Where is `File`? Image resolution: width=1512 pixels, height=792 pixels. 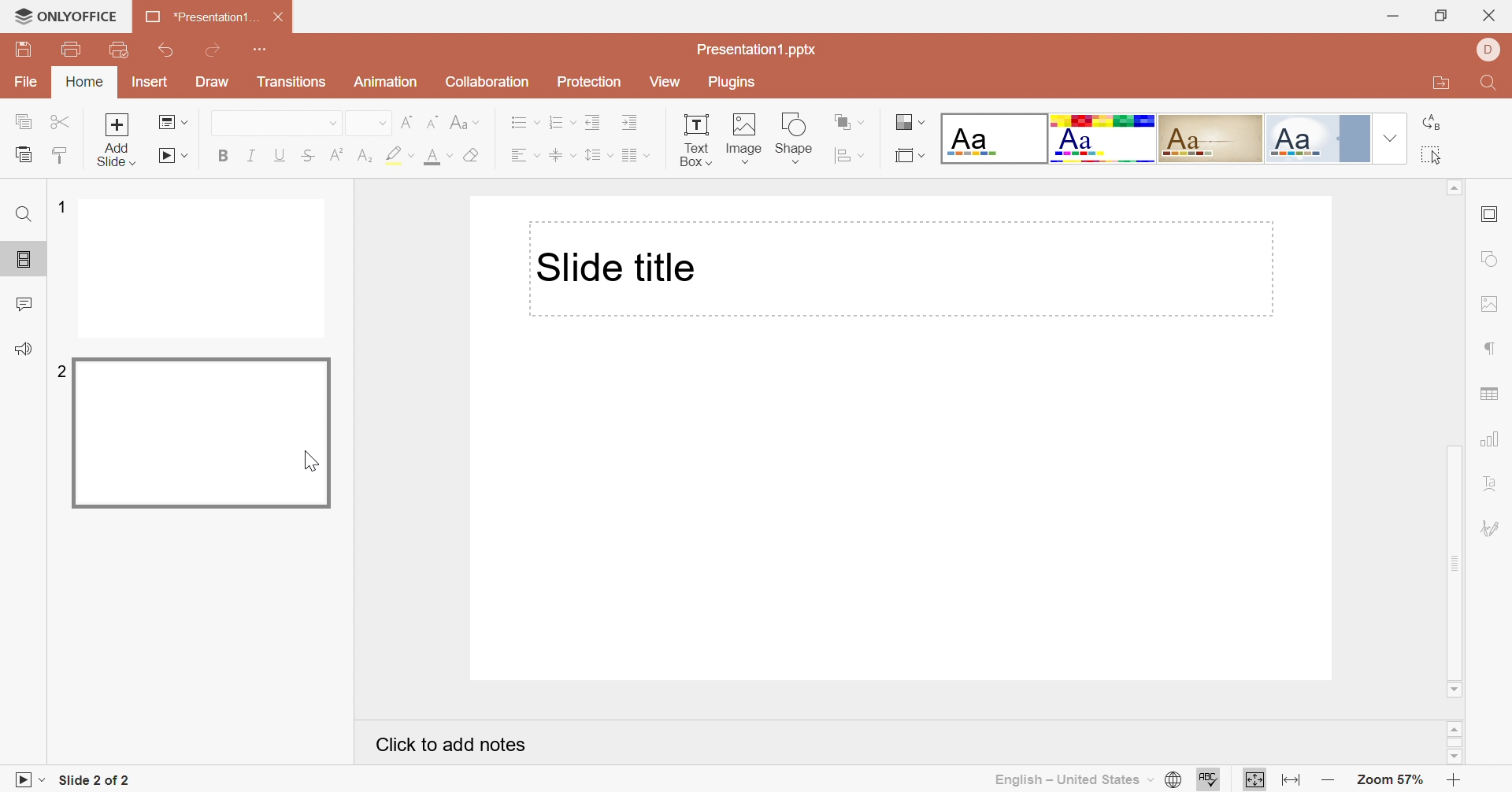
File is located at coordinates (26, 83).